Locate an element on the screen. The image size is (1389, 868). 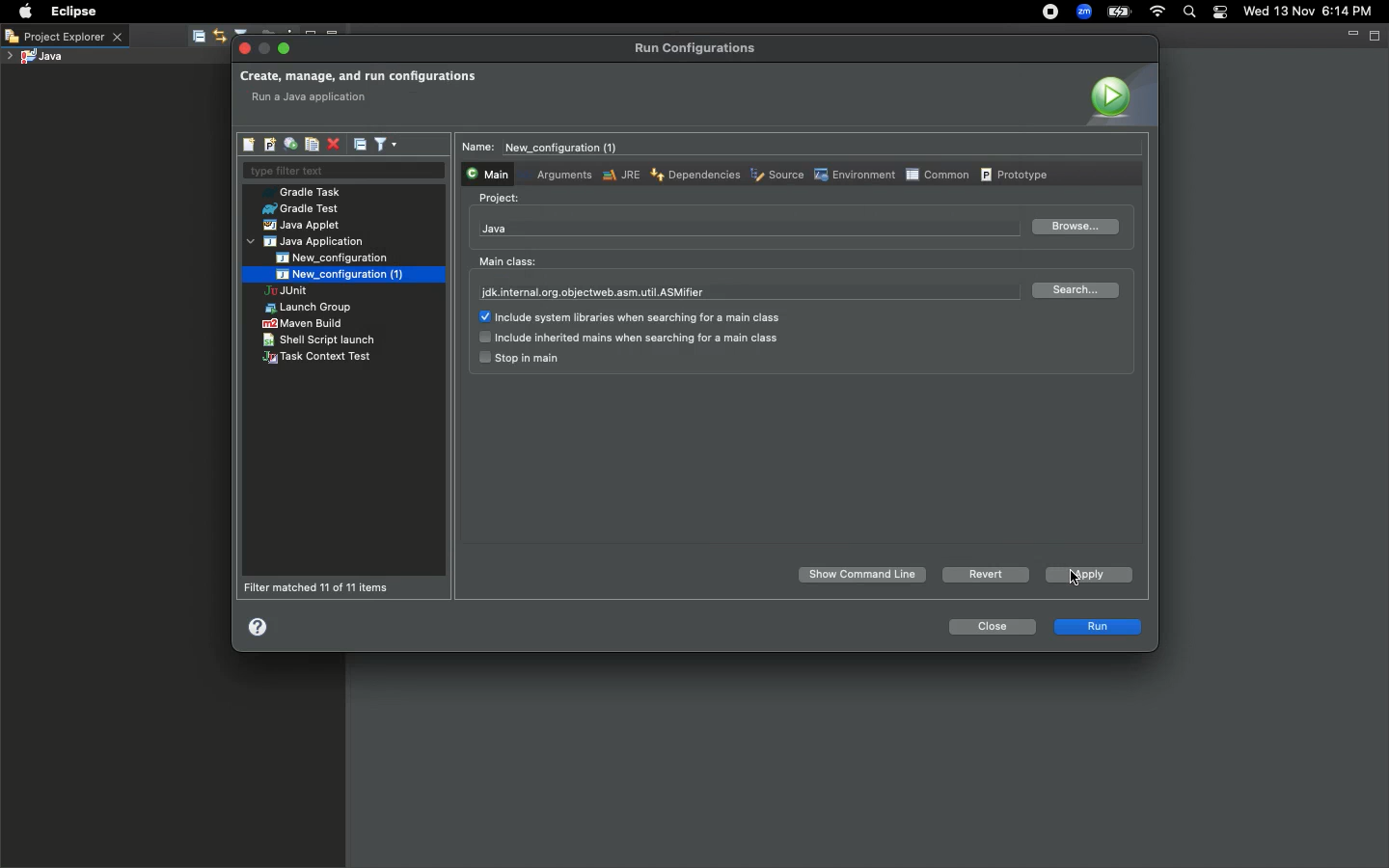
include inherited mains when searching for a main class is located at coordinates (628, 339).